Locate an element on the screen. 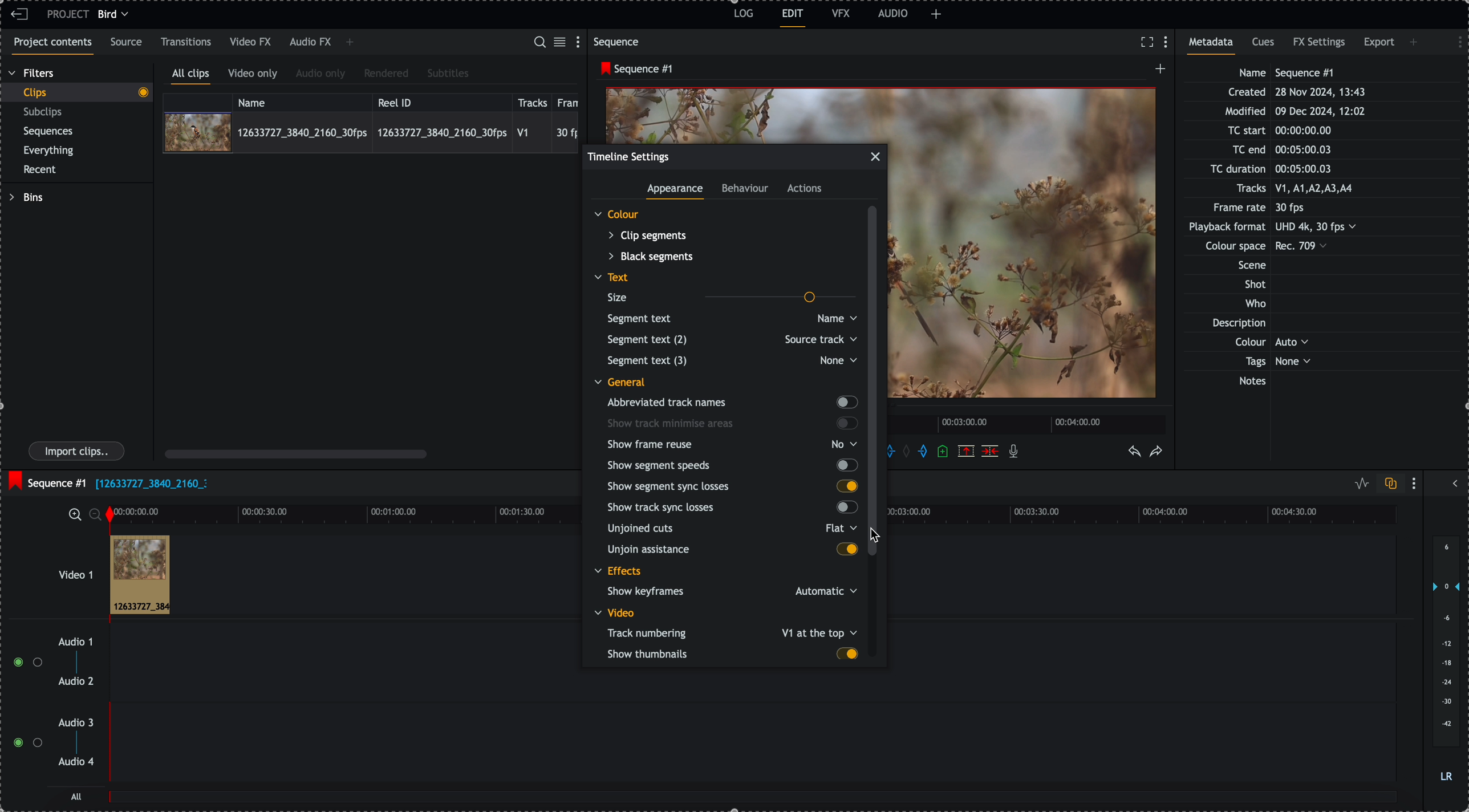  subclips is located at coordinates (45, 112).